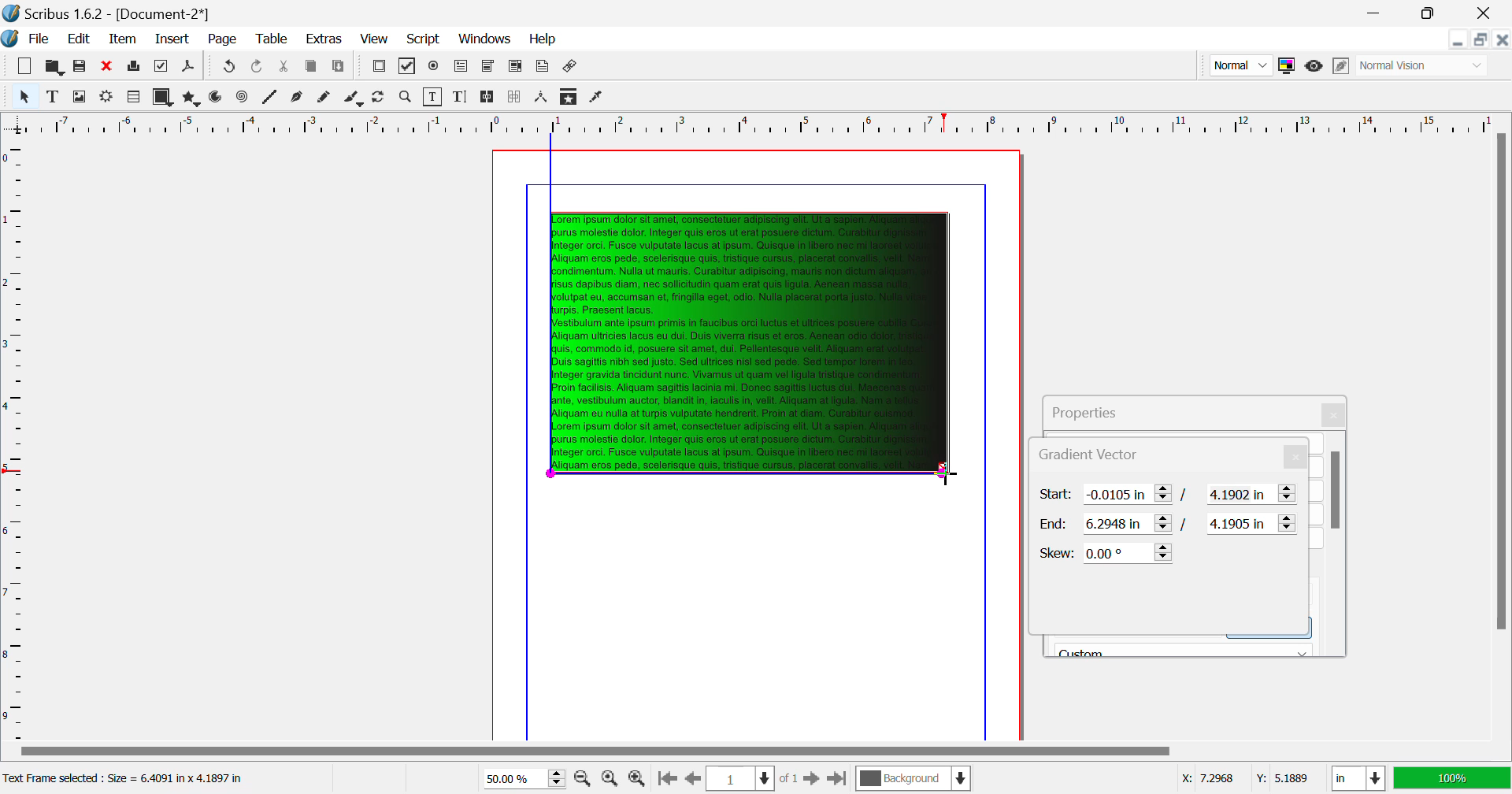 Image resolution: width=1512 pixels, height=794 pixels. What do you see at coordinates (217, 98) in the screenshot?
I see `Arcs` at bounding box center [217, 98].